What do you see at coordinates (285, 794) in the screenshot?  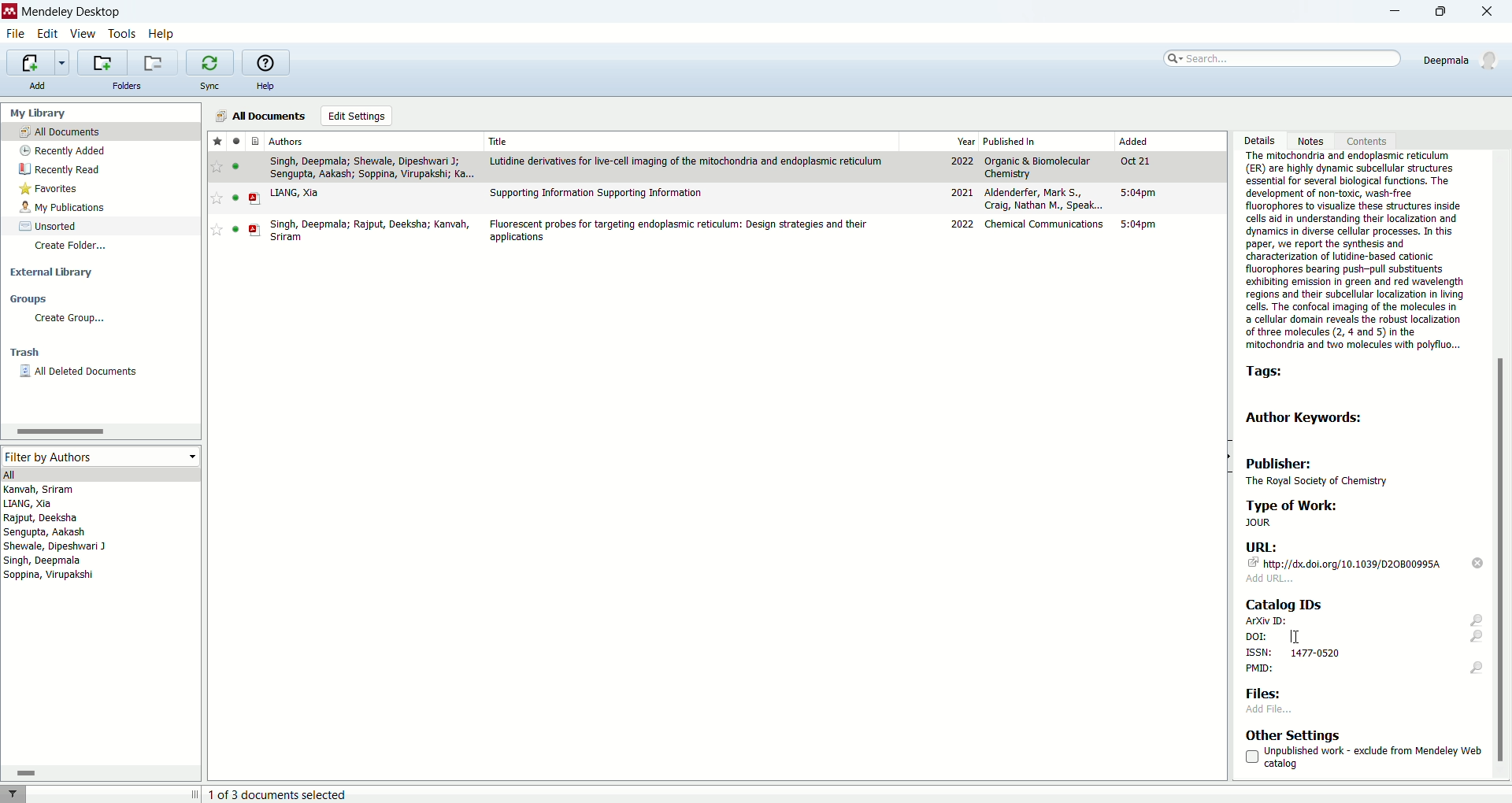 I see `1 of 3 document selected` at bounding box center [285, 794].